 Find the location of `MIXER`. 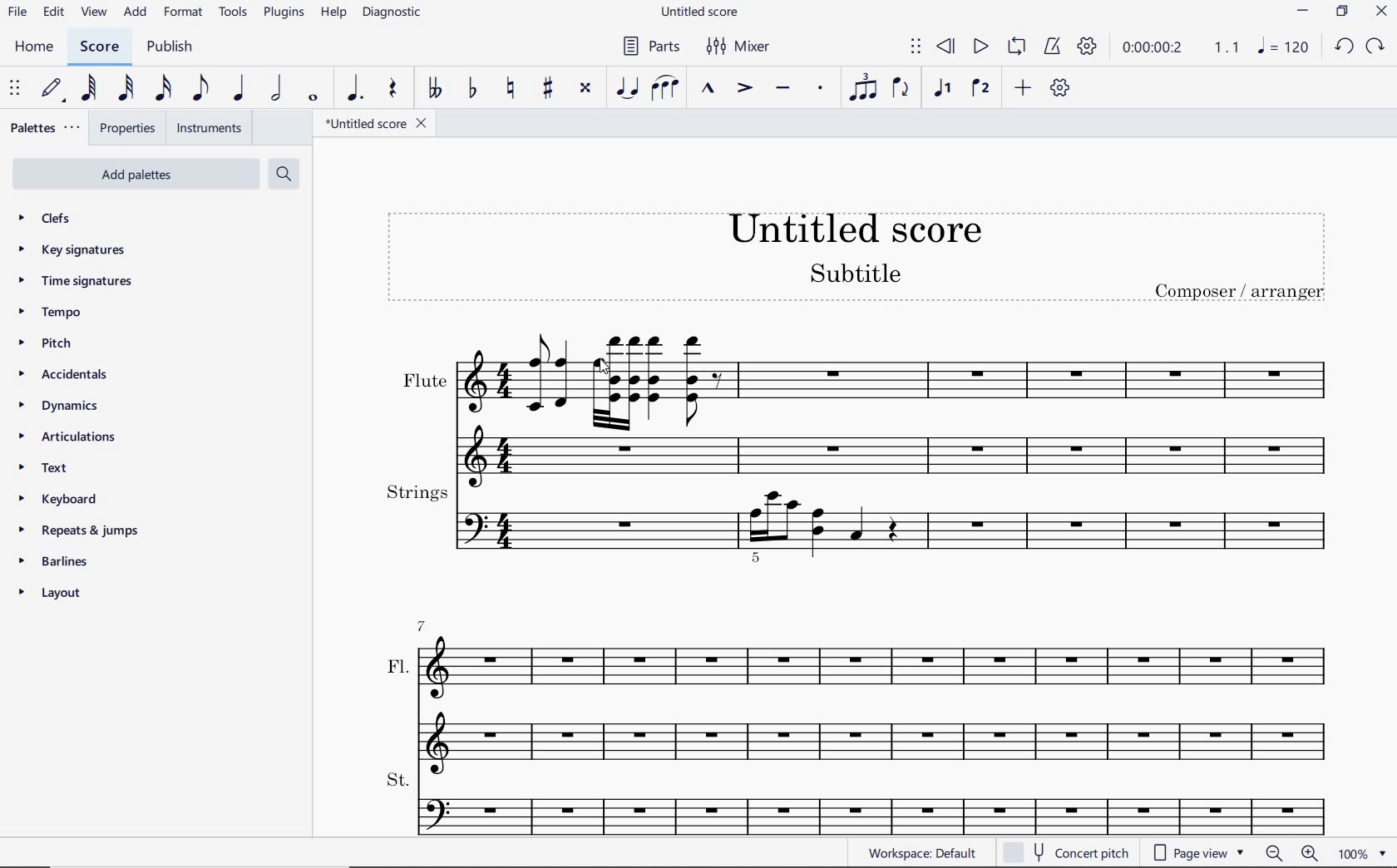

MIXER is located at coordinates (744, 49).